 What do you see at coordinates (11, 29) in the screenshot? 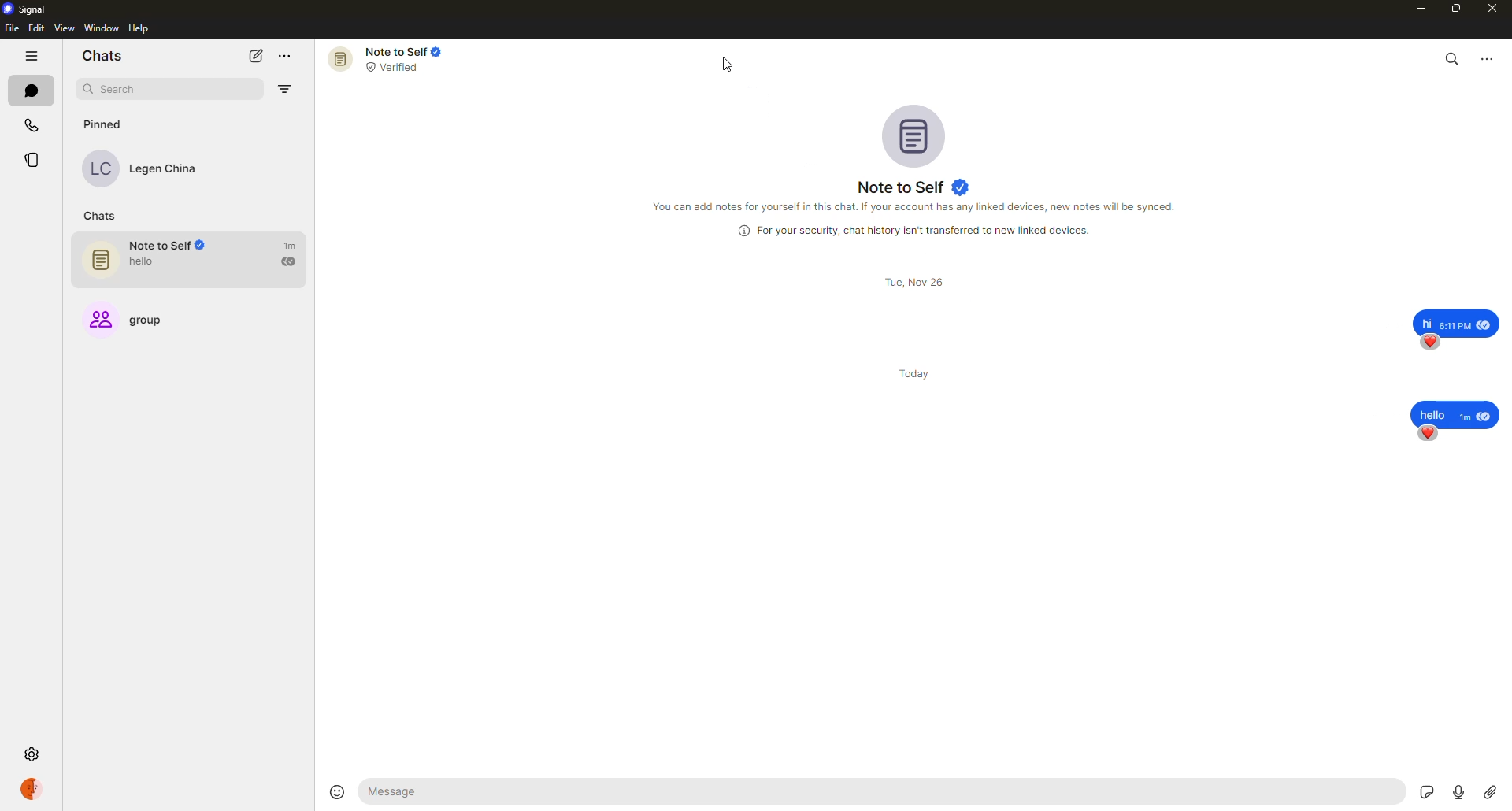
I see `file` at bounding box center [11, 29].